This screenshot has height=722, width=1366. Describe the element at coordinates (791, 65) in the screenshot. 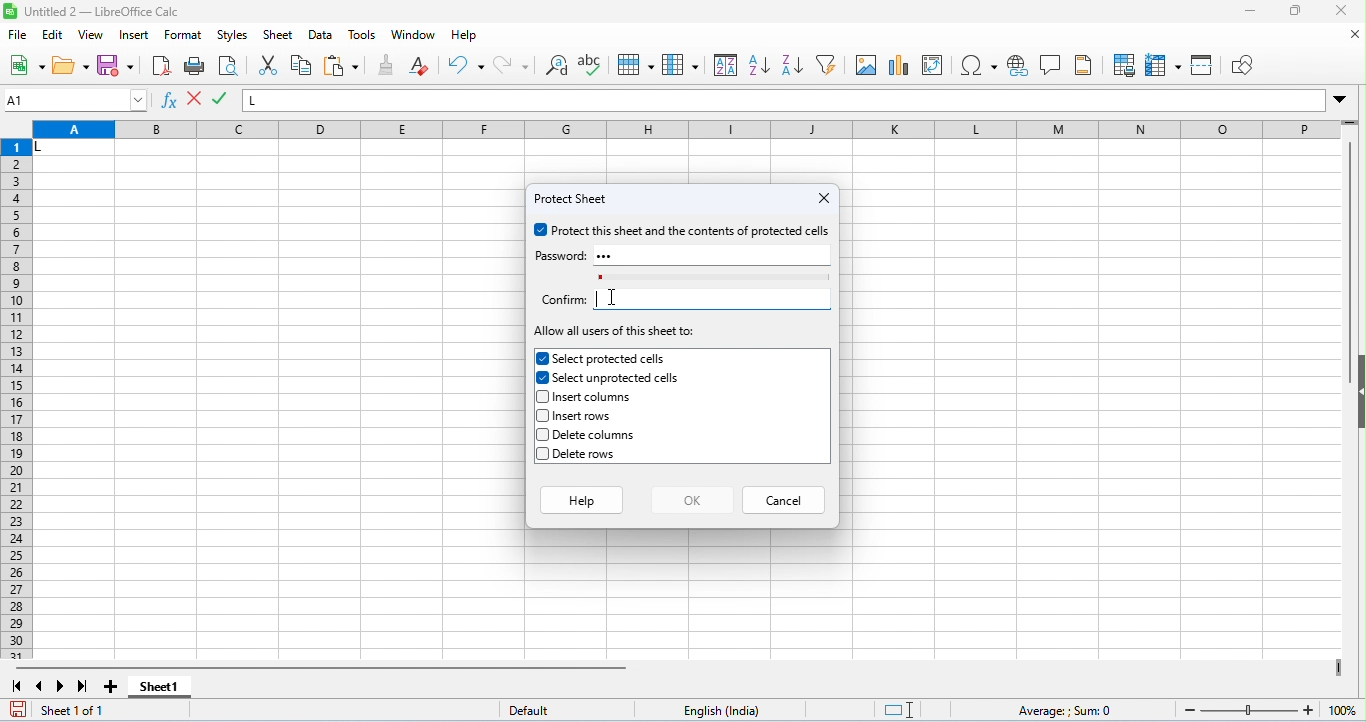

I see `sort descending` at that location.